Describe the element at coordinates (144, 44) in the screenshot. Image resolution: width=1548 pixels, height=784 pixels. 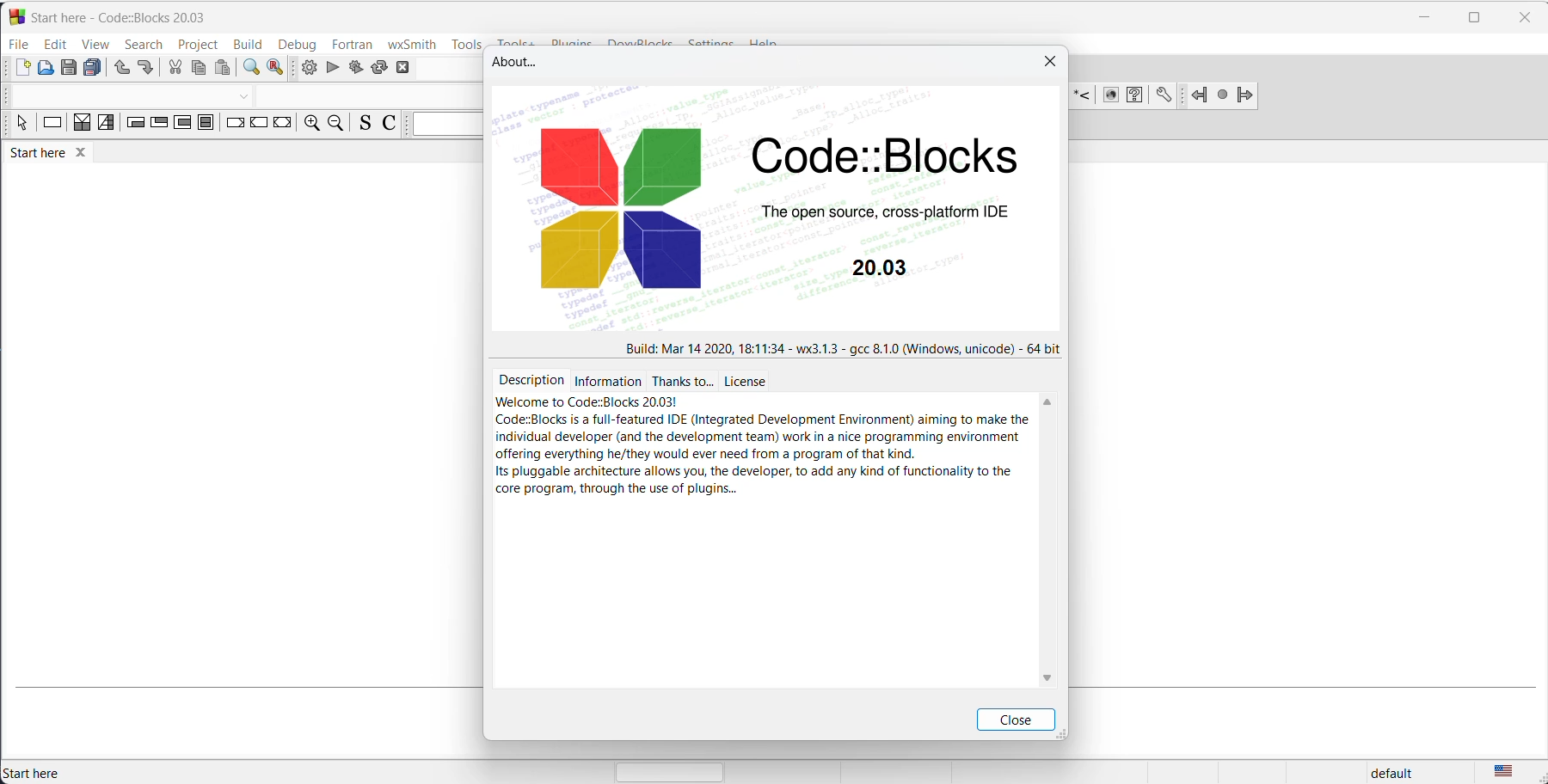
I see `Search` at that location.